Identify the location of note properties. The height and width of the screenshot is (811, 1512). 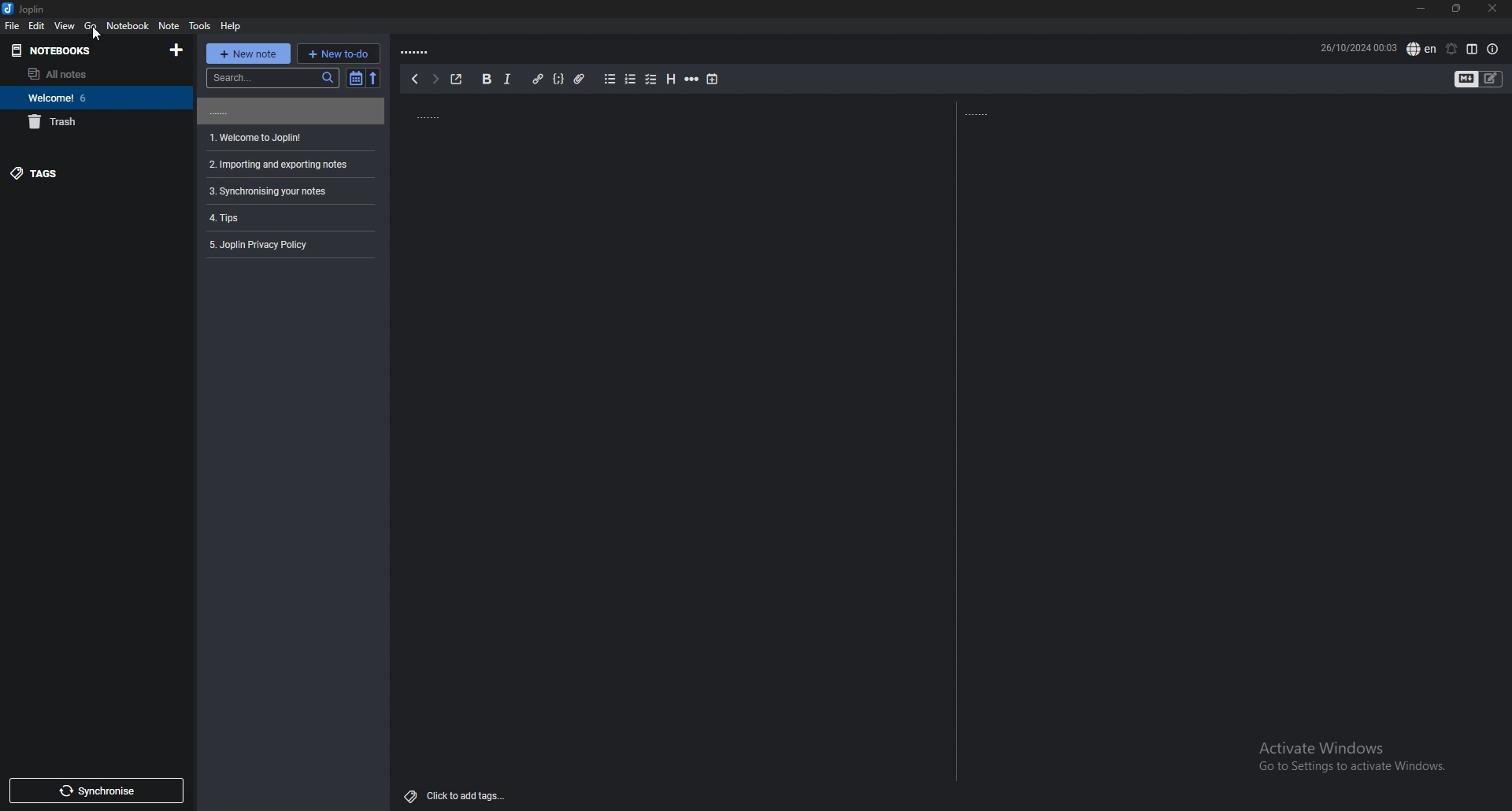
(1492, 49).